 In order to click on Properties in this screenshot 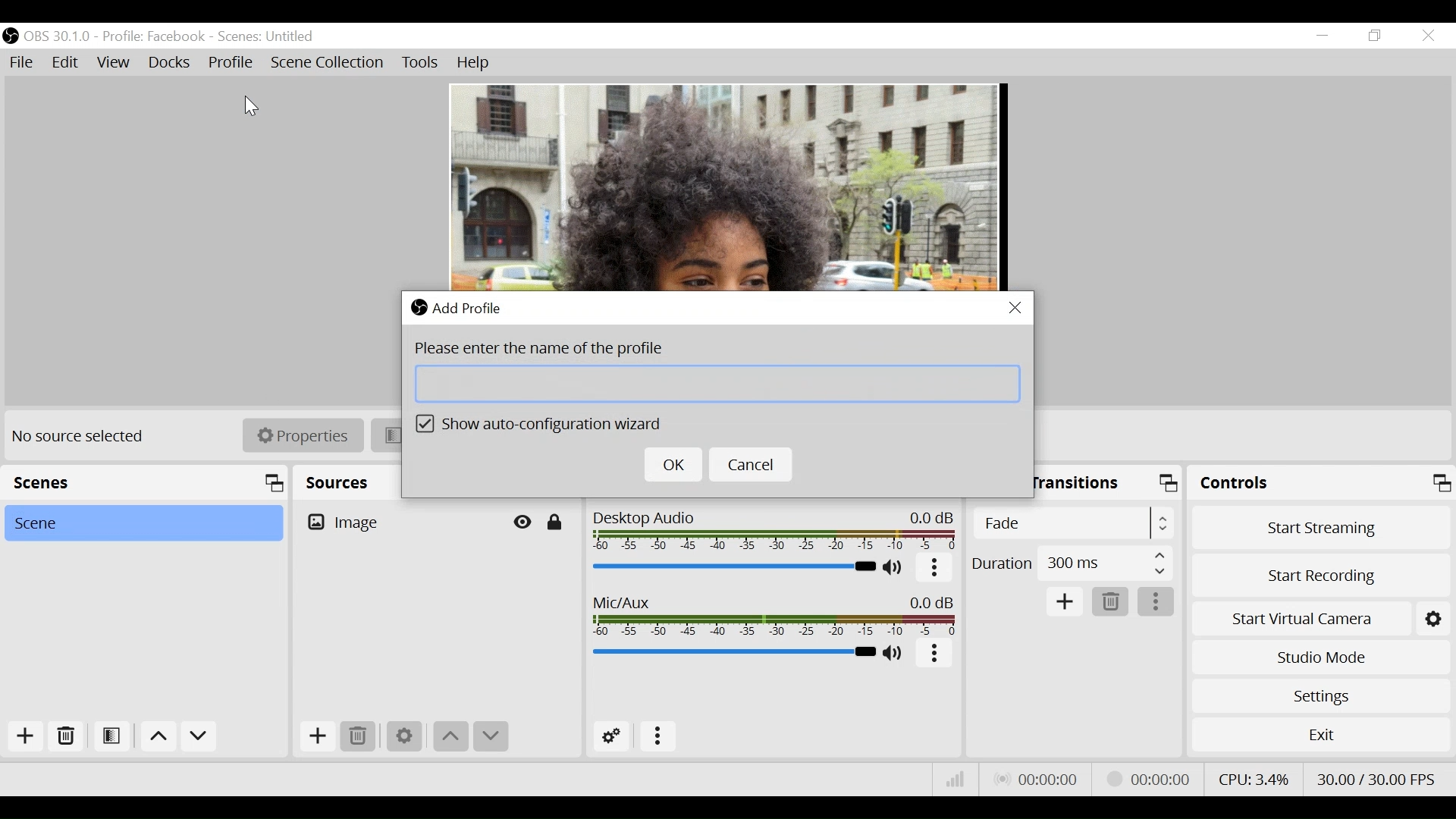, I will do `click(303, 436)`.